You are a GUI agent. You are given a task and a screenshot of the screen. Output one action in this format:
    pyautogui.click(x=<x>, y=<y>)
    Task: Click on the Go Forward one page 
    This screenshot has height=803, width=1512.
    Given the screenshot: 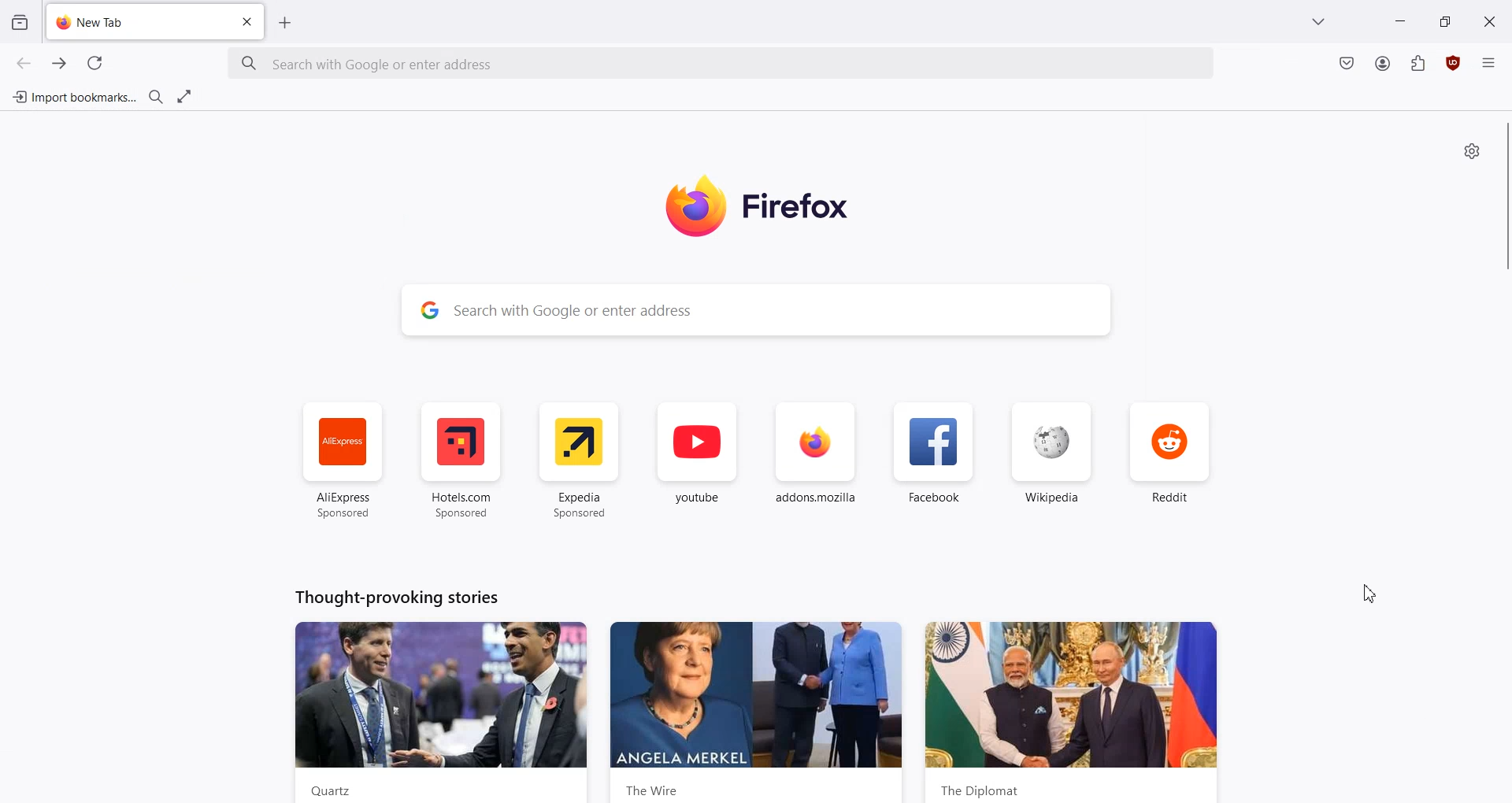 What is the action you would take?
    pyautogui.click(x=61, y=63)
    